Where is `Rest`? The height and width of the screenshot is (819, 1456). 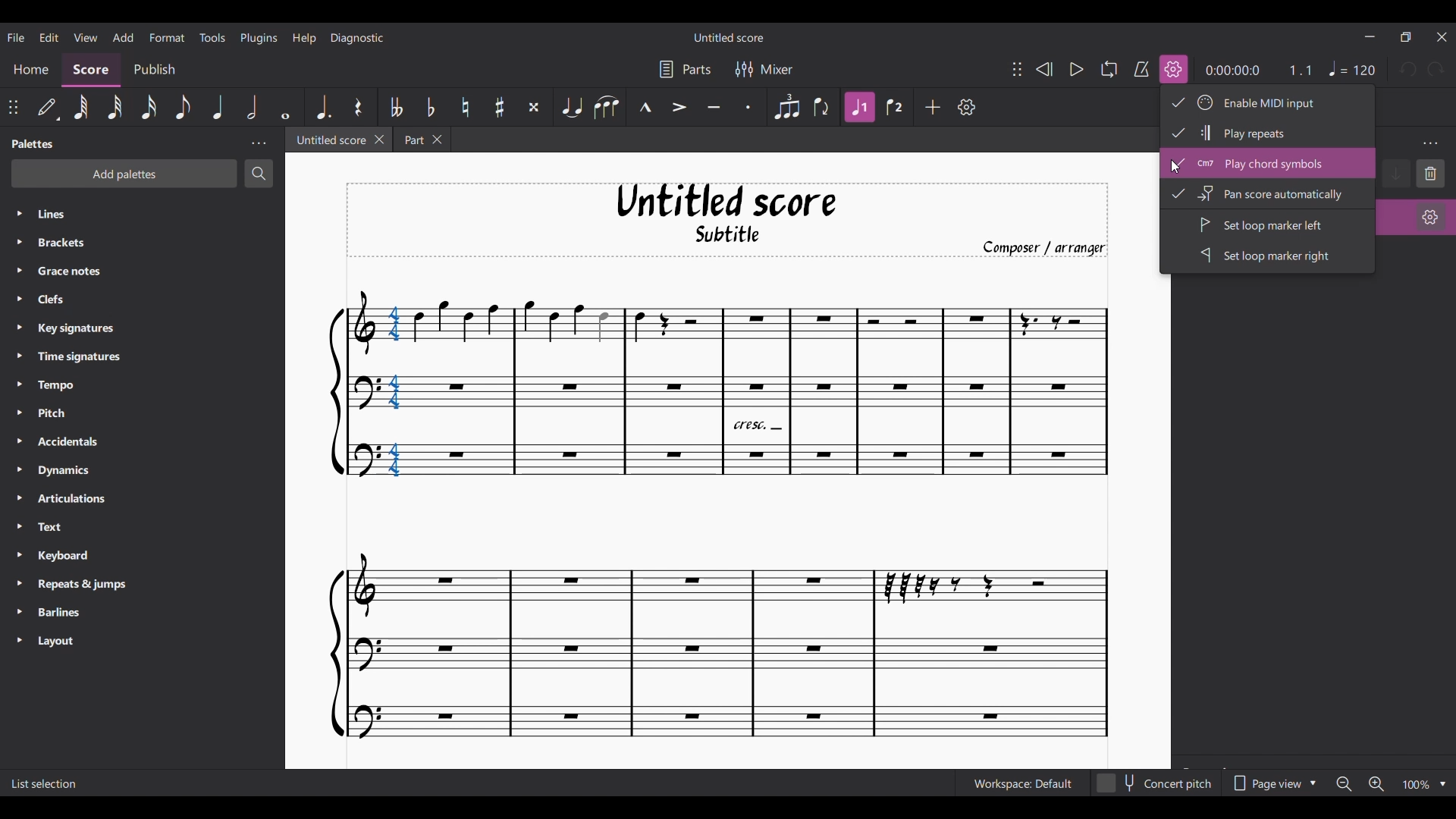 Rest is located at coordinates (357, 107).